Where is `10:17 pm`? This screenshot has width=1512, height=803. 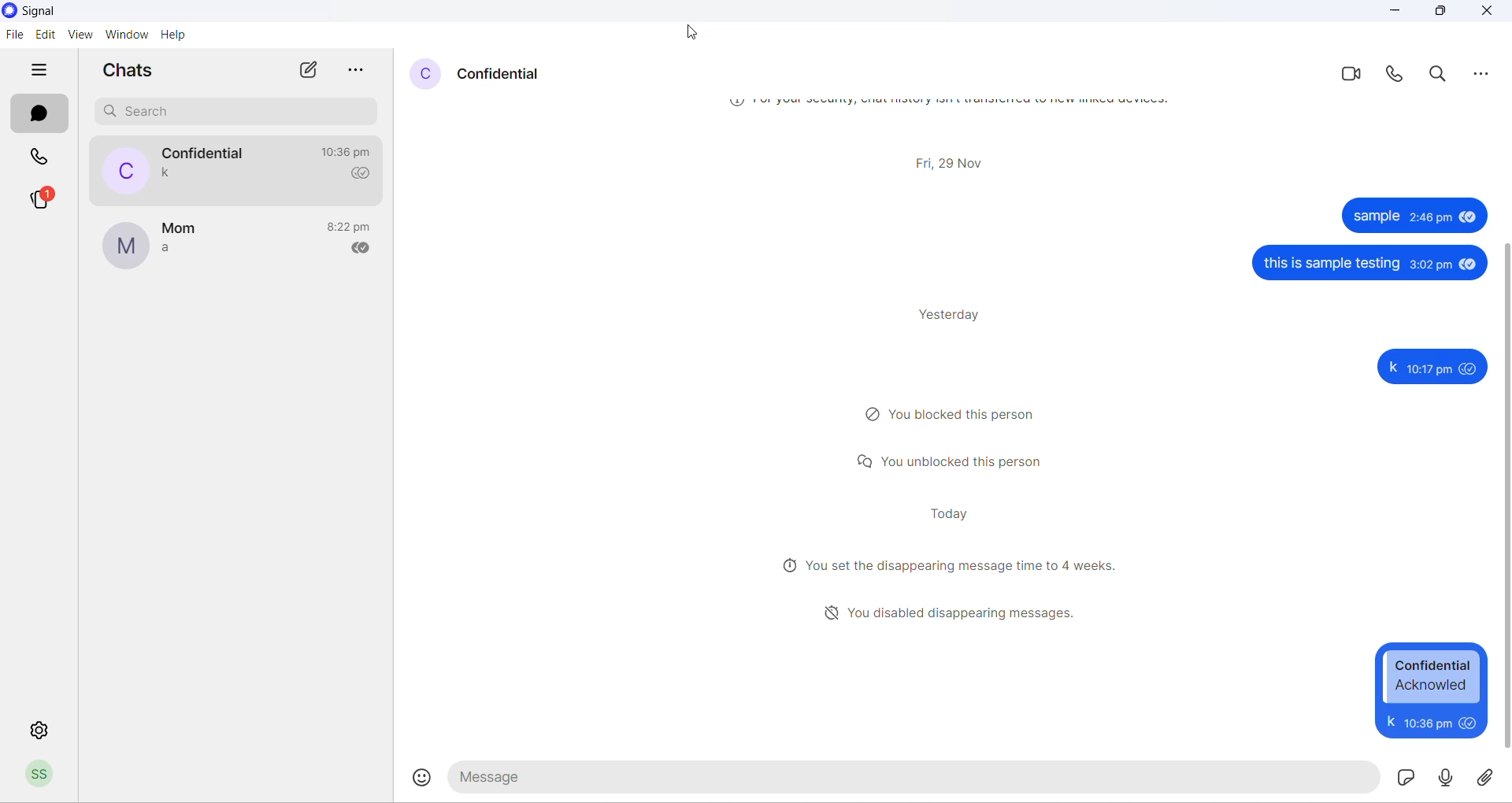
10:17 pm is located at coordinates (1429, 370).